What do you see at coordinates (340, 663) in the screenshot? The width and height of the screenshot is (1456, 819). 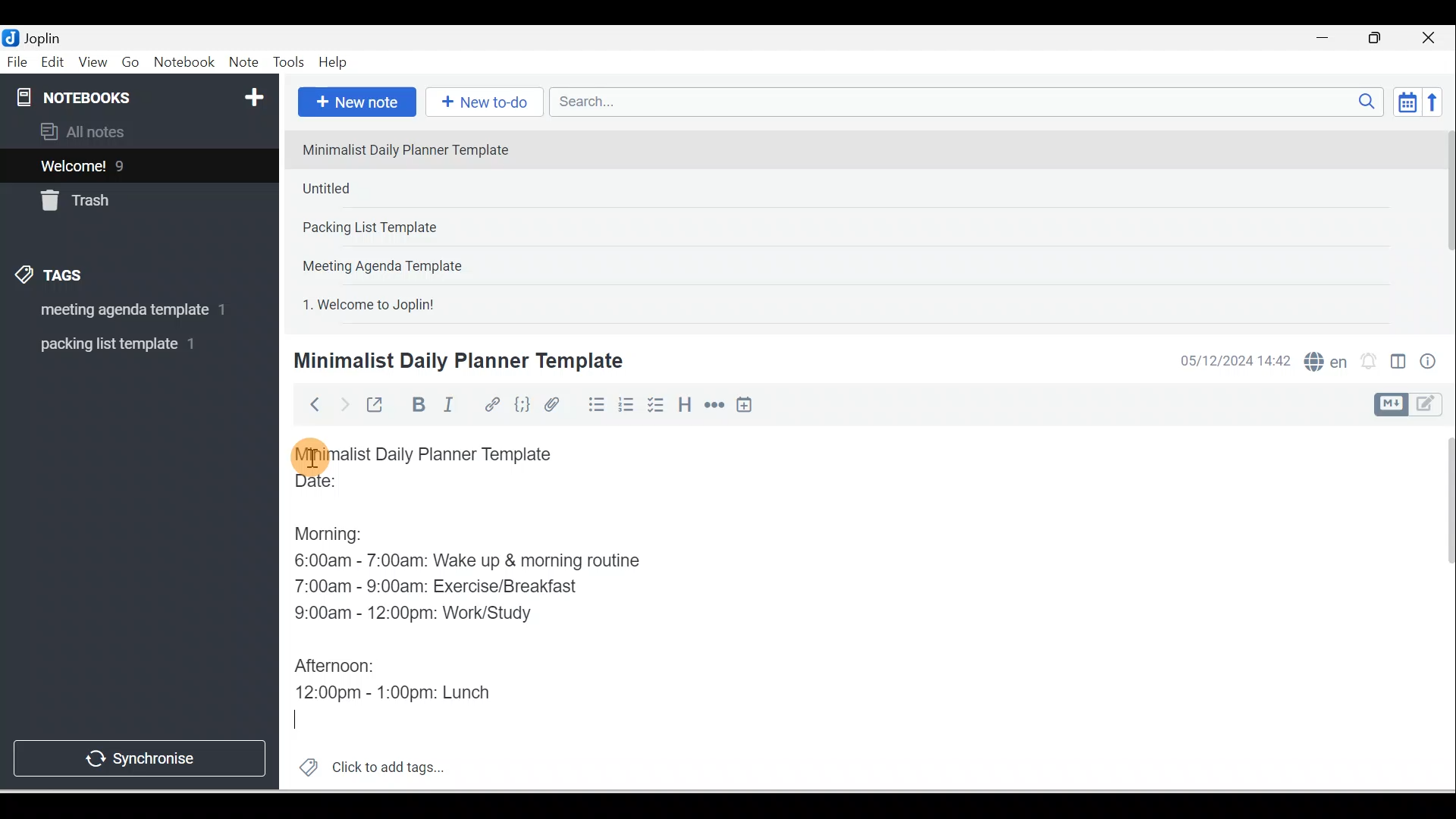 I see `Afternoon:` at bounding box center [340, 663].